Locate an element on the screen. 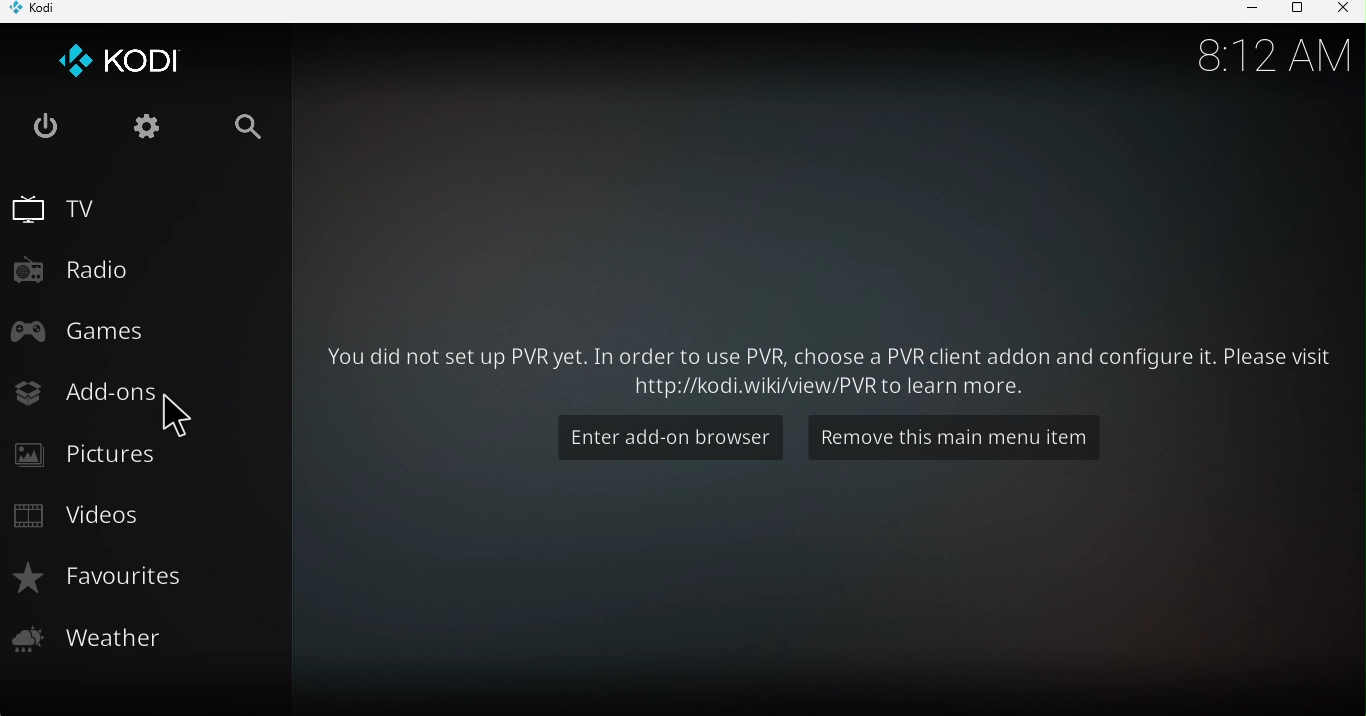  Cursor is located at coordinates (186, 416).